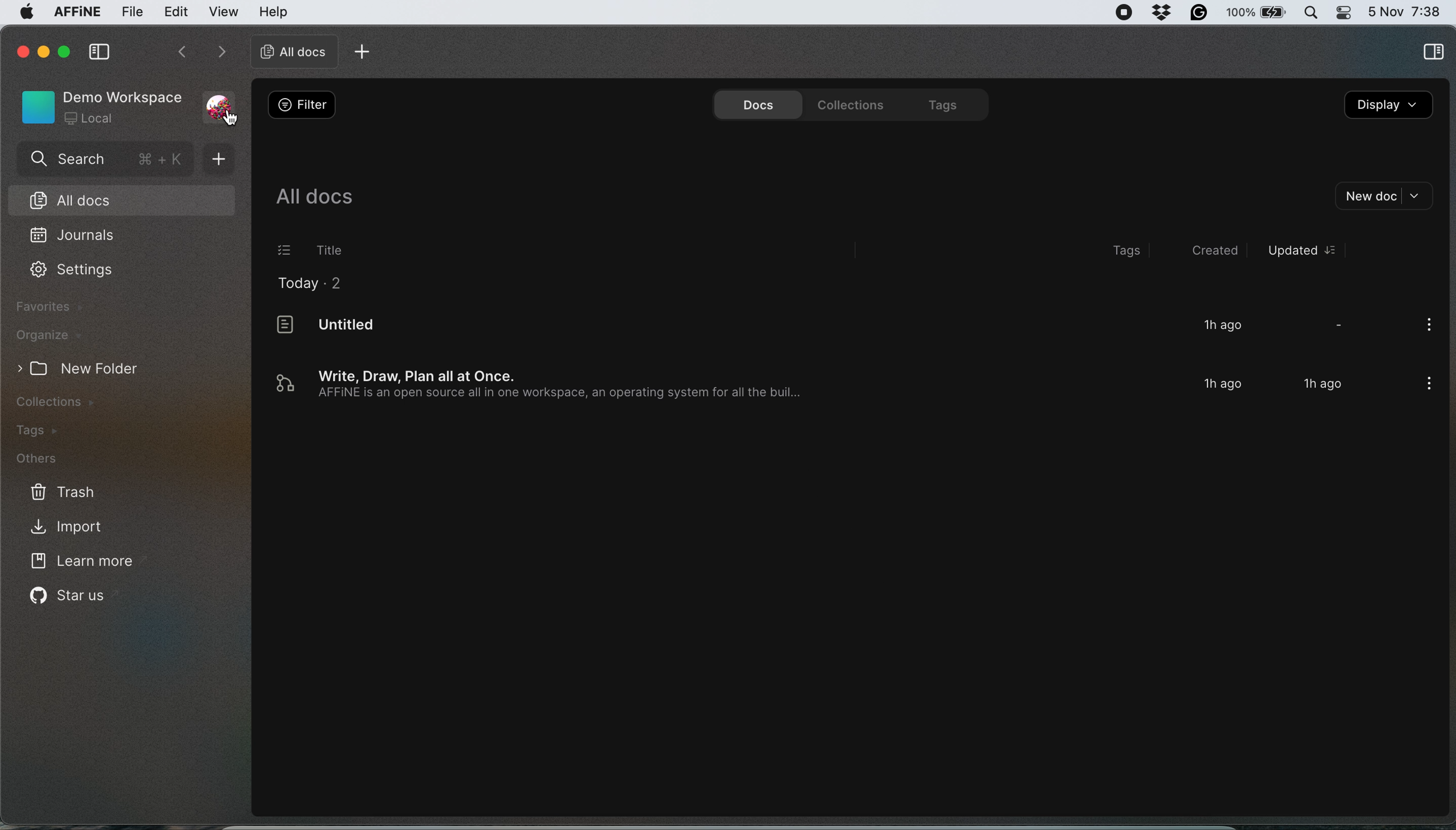 Image resolution: width=1456 pixels, height=830 pixels. What do you see at coordinates (1124, 13) in the screenshot?
I see `screen recorder` at bounding box center [1124, 13].